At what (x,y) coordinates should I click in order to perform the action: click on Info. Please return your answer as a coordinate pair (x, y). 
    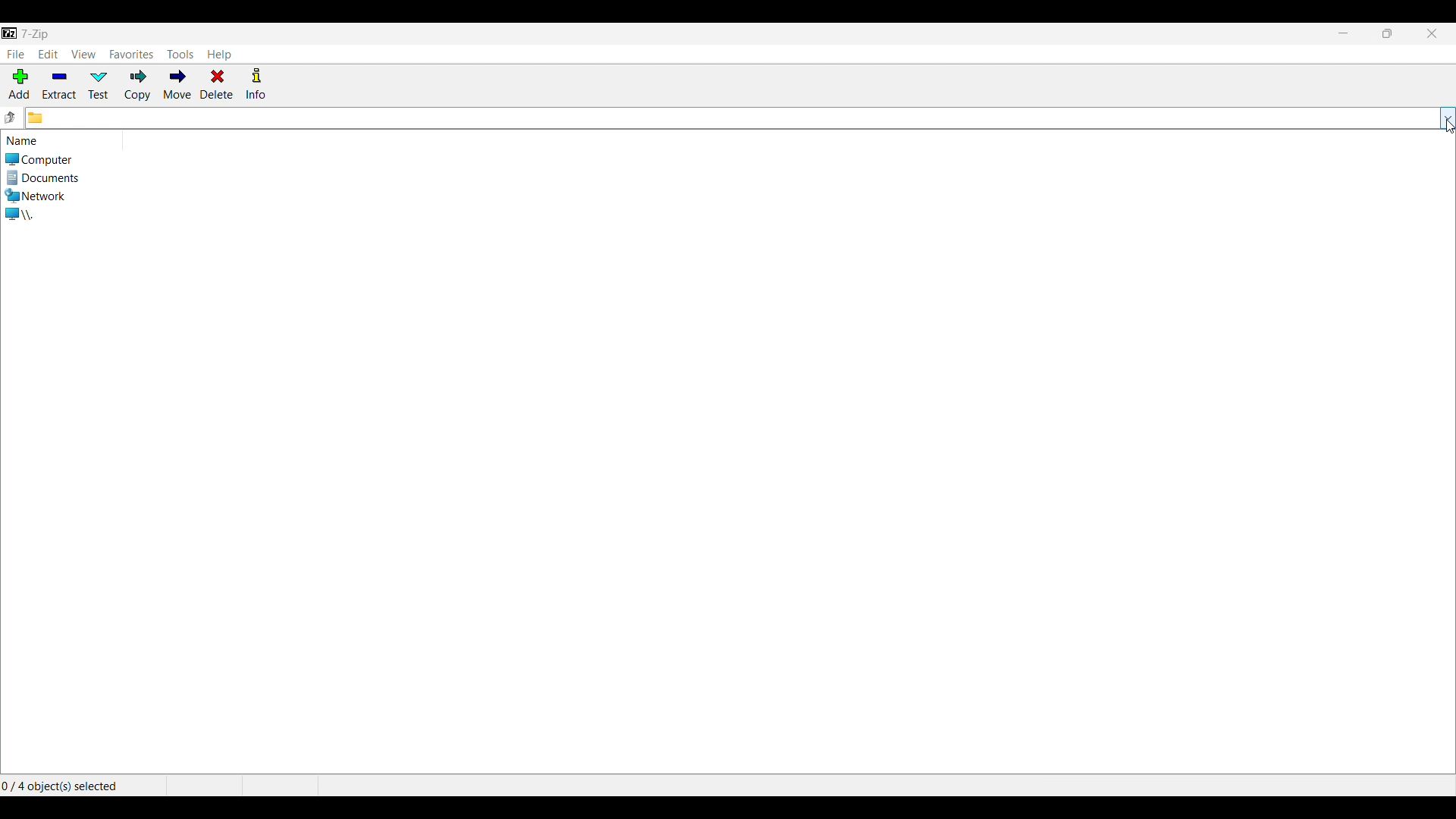
    Looking at the image, I should click on (256, 83).